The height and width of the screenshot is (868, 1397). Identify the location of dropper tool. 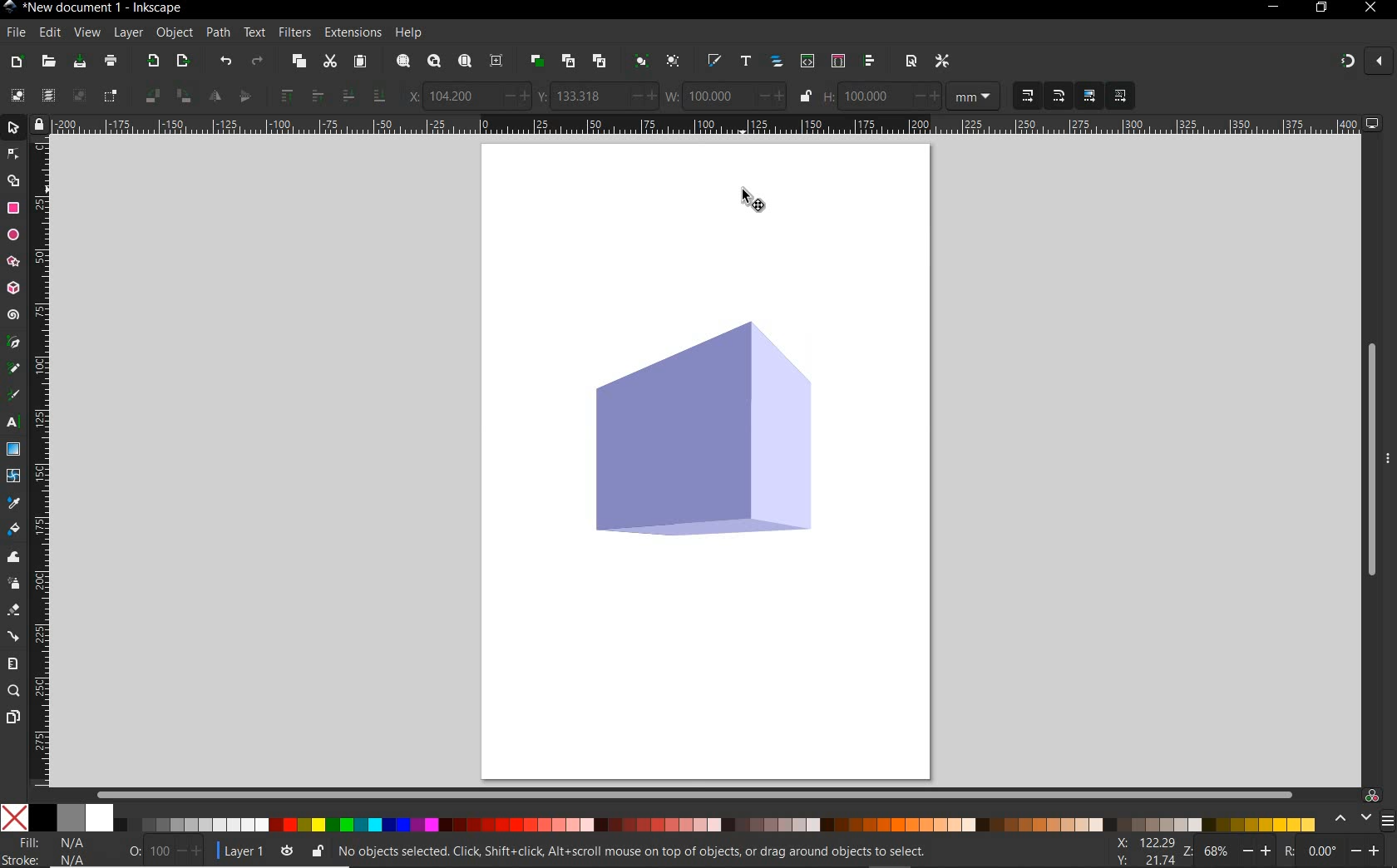
(16, 503).